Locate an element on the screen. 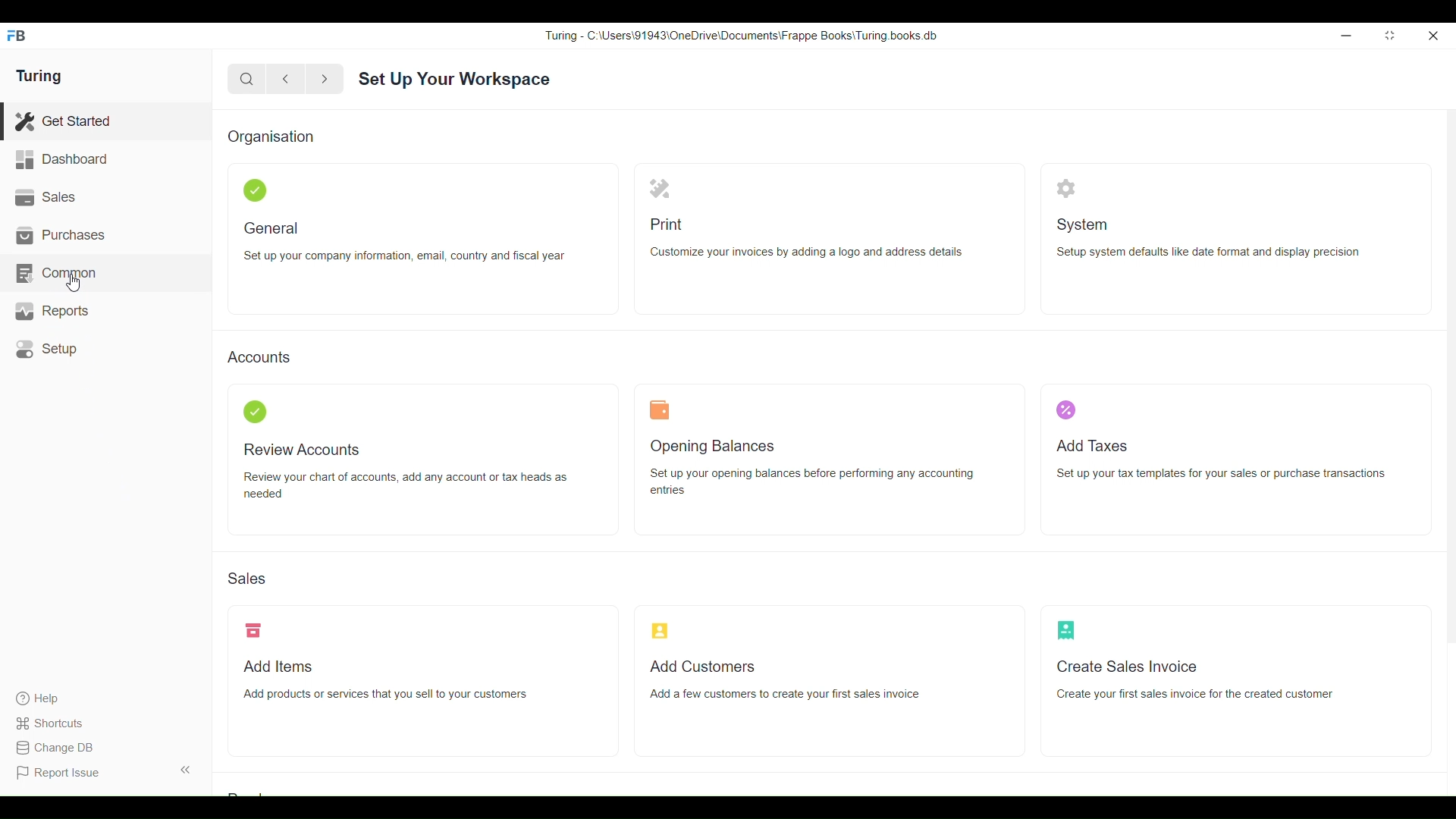 This screenshot has width=1456, height=819. Review Accounts icon is located at coordinates (256, 412).